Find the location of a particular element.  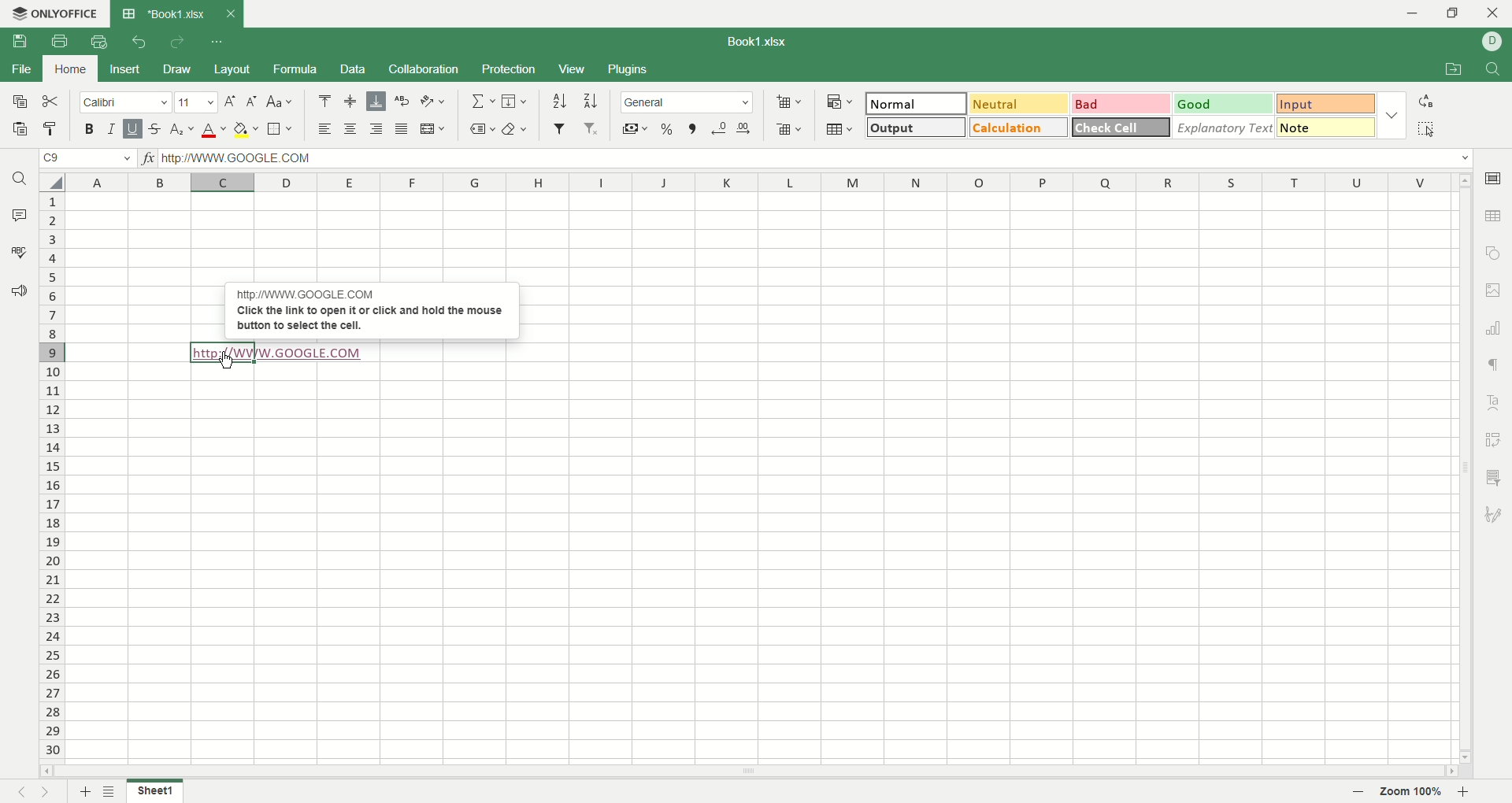

text art settings is located at coordinates (1493, 398).